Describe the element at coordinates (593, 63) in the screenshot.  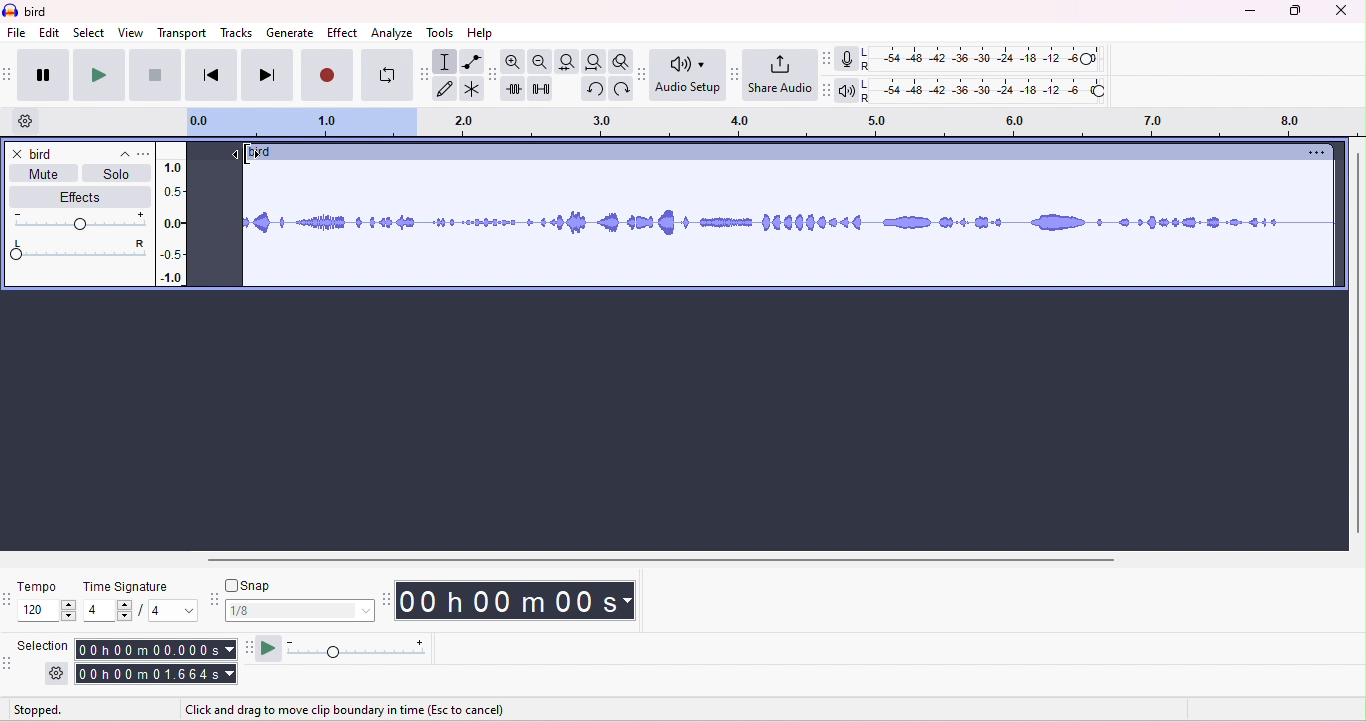
I see `fit project to width` at that location.